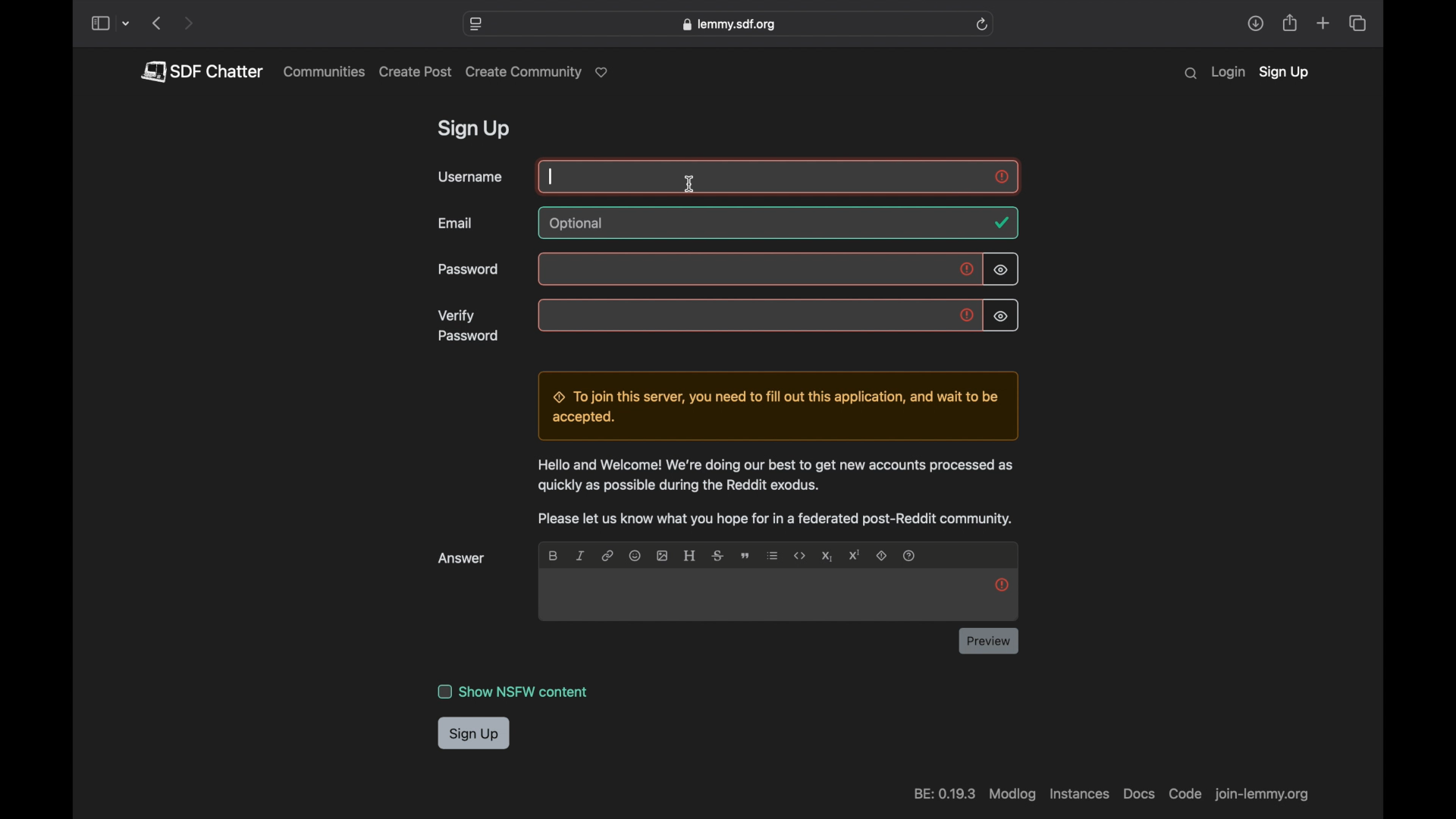 The height and width of the screenshot is (819, 1456). What do you see at coordinates (470, 177) in the screenshot?
I see `username` at bounding box center [470, 177].